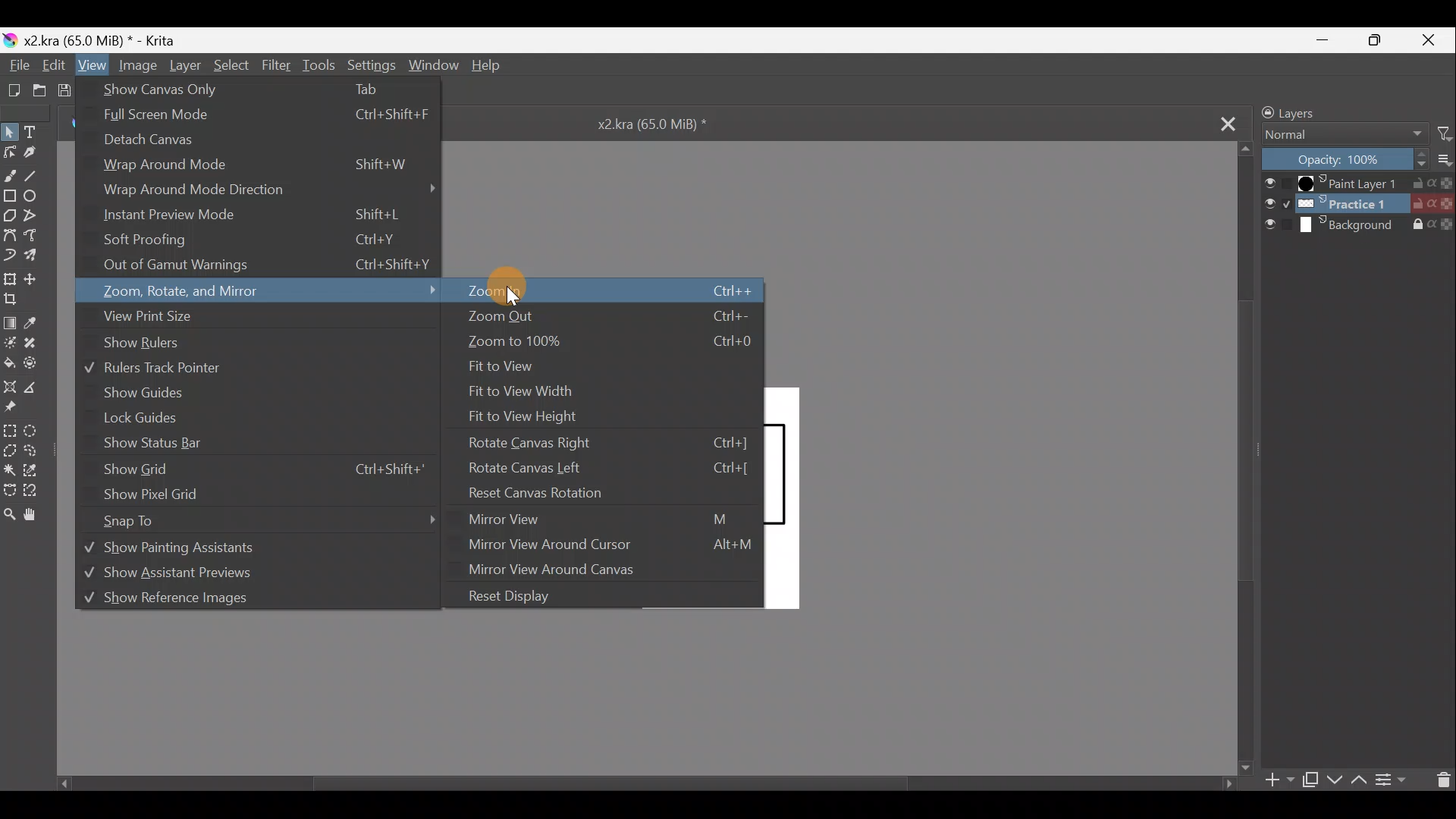  I want to click on Detach canvas, so click(240, 142).